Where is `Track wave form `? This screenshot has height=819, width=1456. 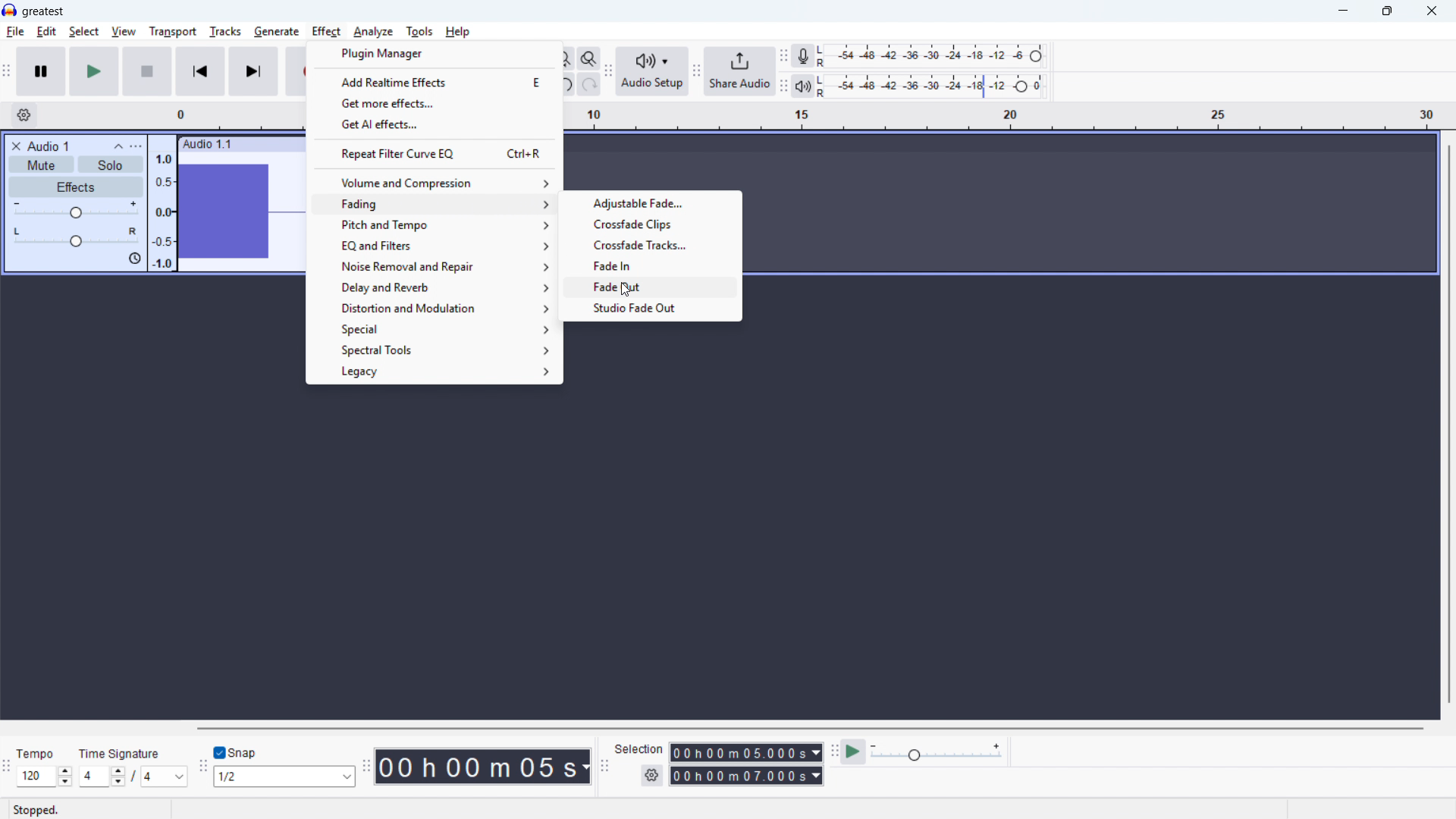 Track wave form  is located at coordinates (240, 212).